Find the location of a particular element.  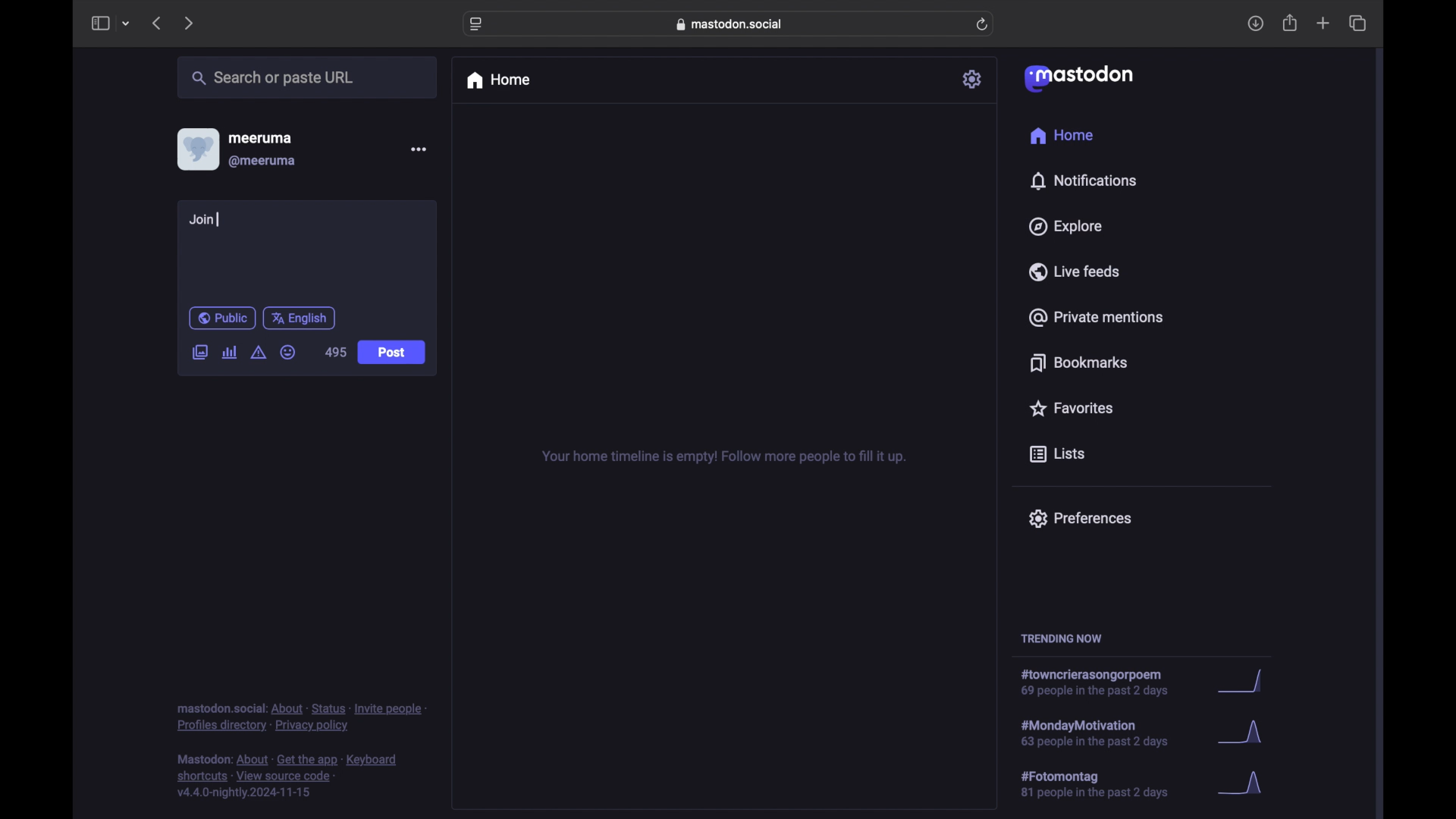

share is located at coordinates (1291, 24).